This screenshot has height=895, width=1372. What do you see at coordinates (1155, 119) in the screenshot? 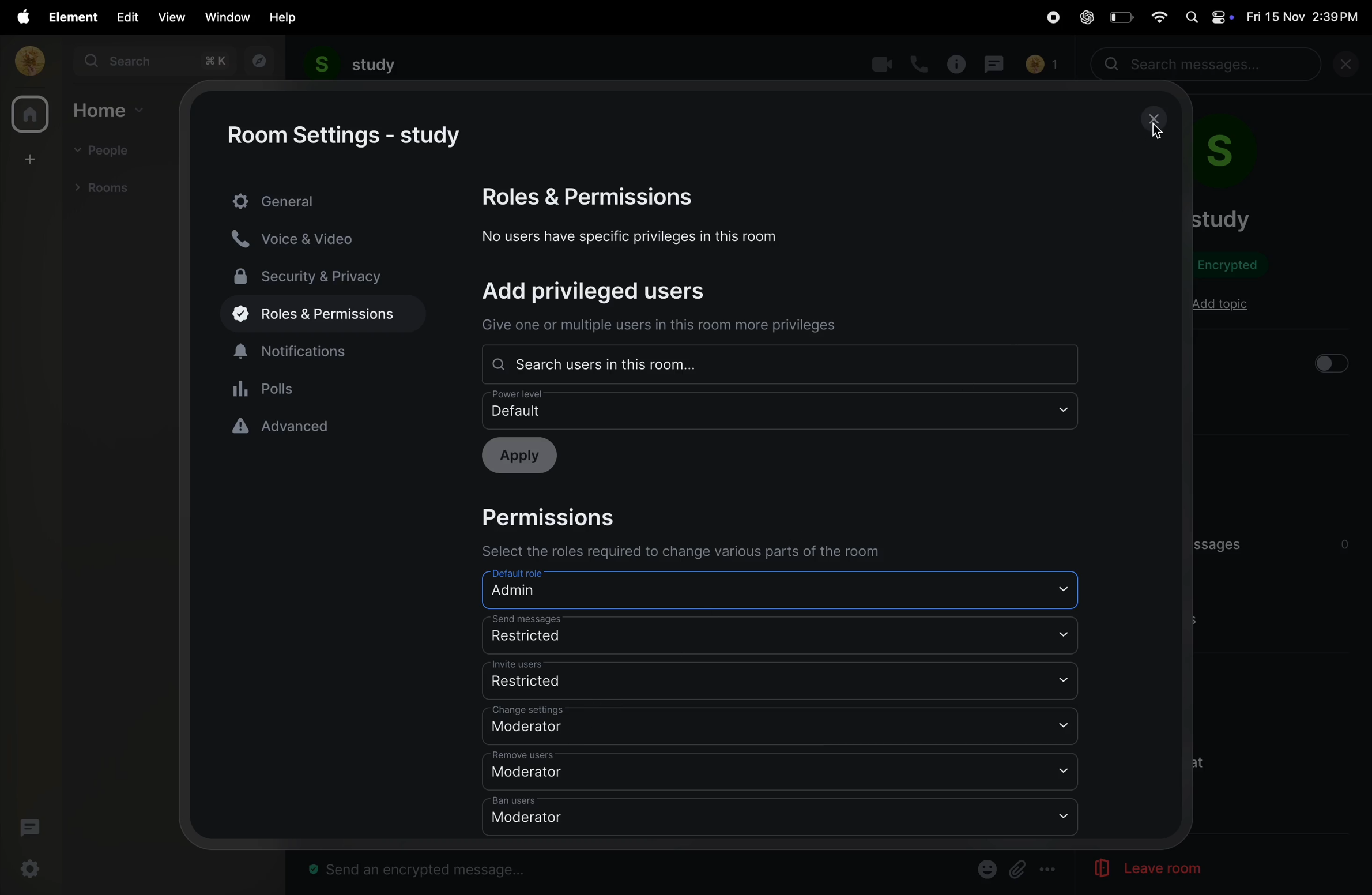
I see `close` at bounding box center [1155, 119].